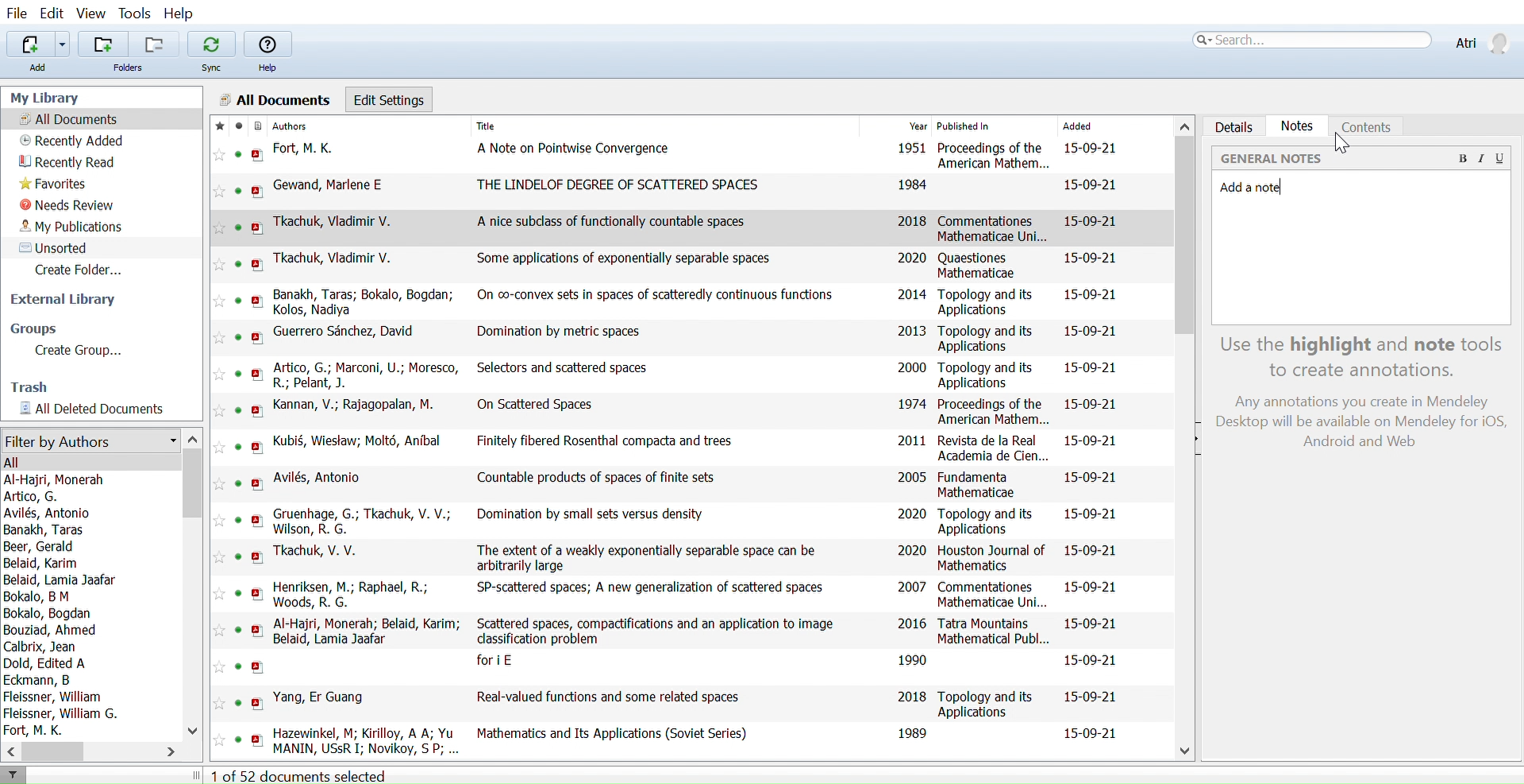 The height and width of the screenshot is (784, 1524). I want to click on Tkachuk, V. V., so click(318, 549).